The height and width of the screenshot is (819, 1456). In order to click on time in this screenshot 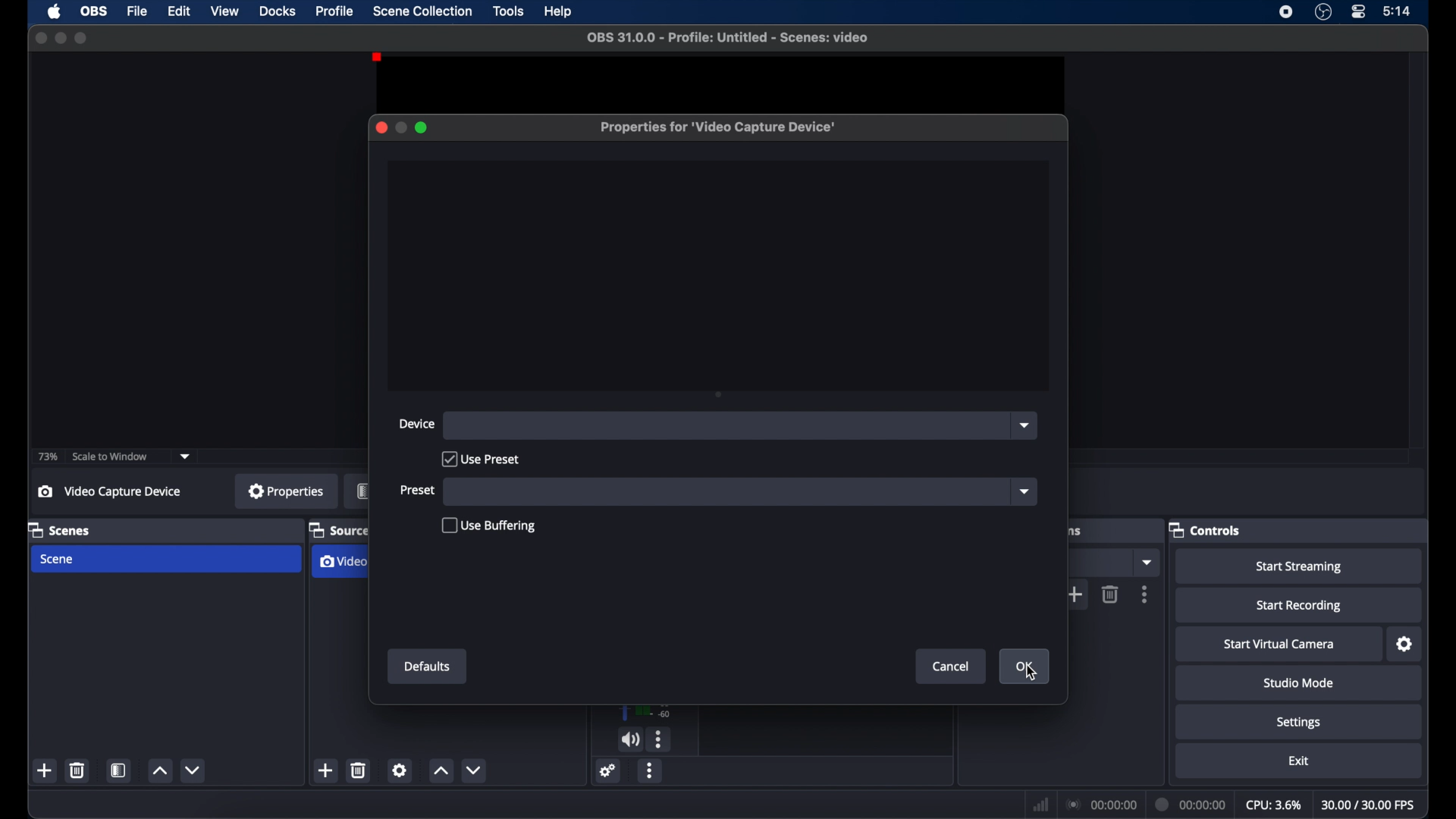, I will do `click(1398, 11)`.